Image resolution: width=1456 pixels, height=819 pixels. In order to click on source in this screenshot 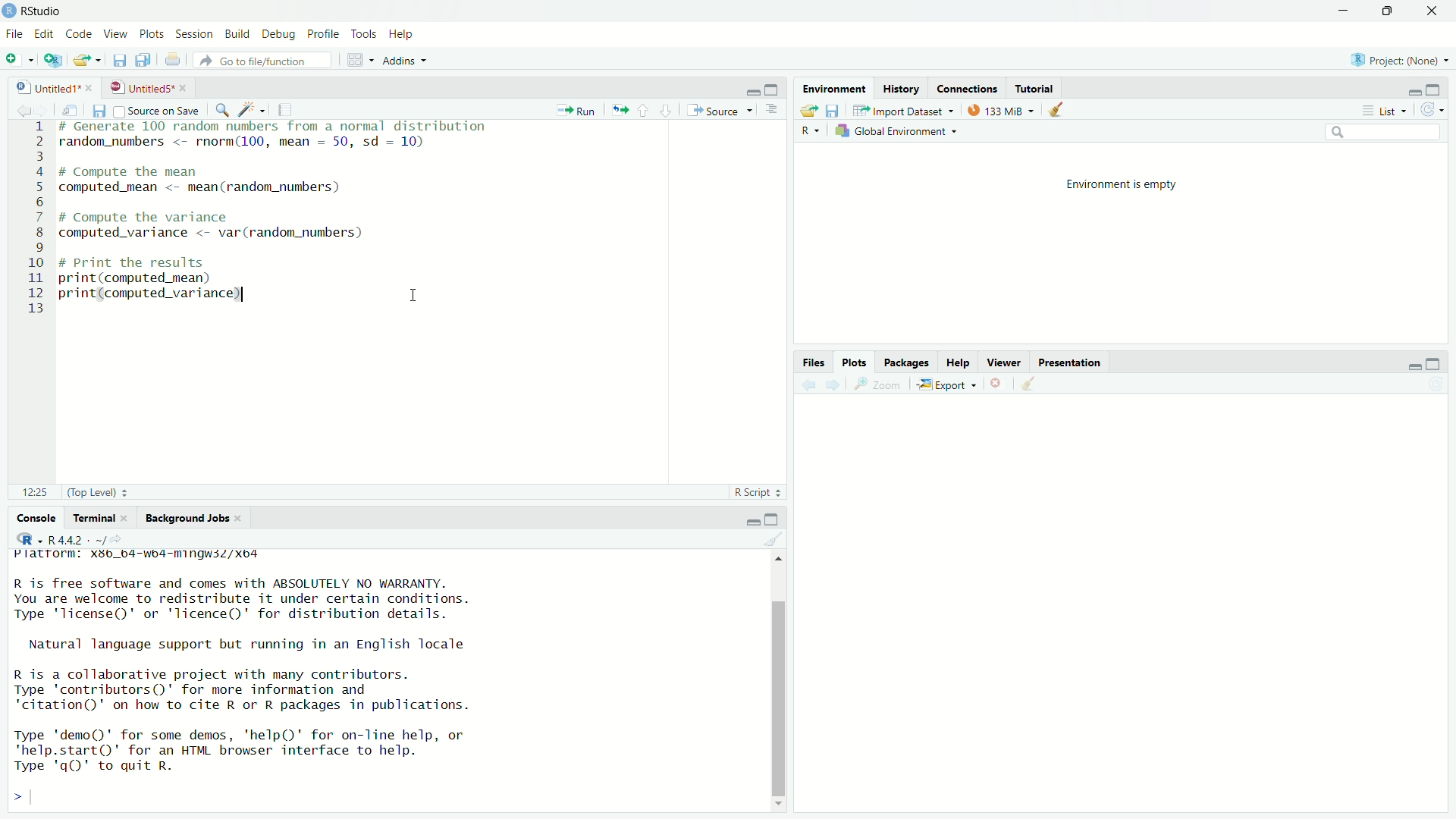, I will do `click(722, 110)`.